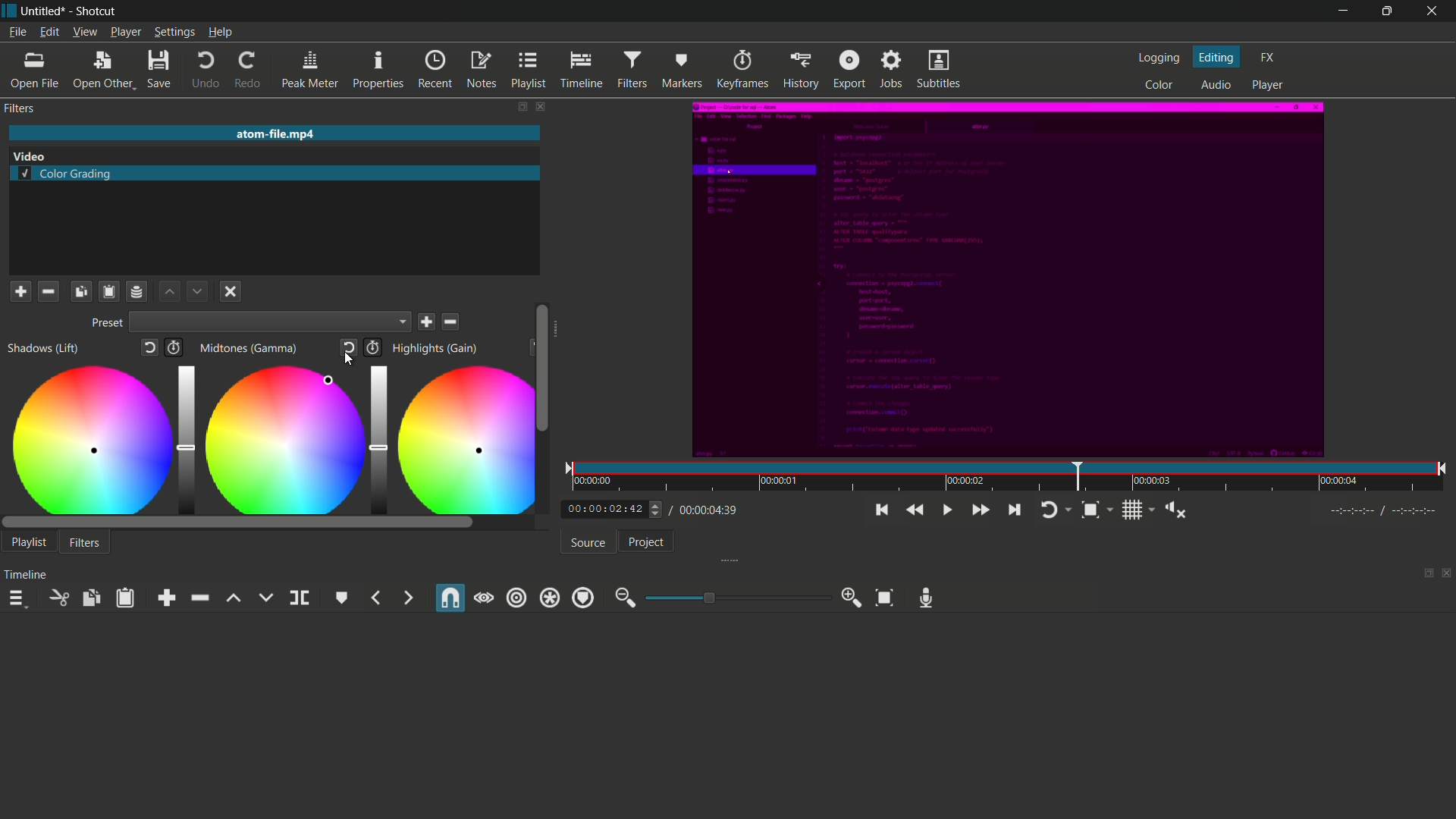 The height and width of the screenshot is (819, 1456). I want to click on timeline menu, so click(17, 598).